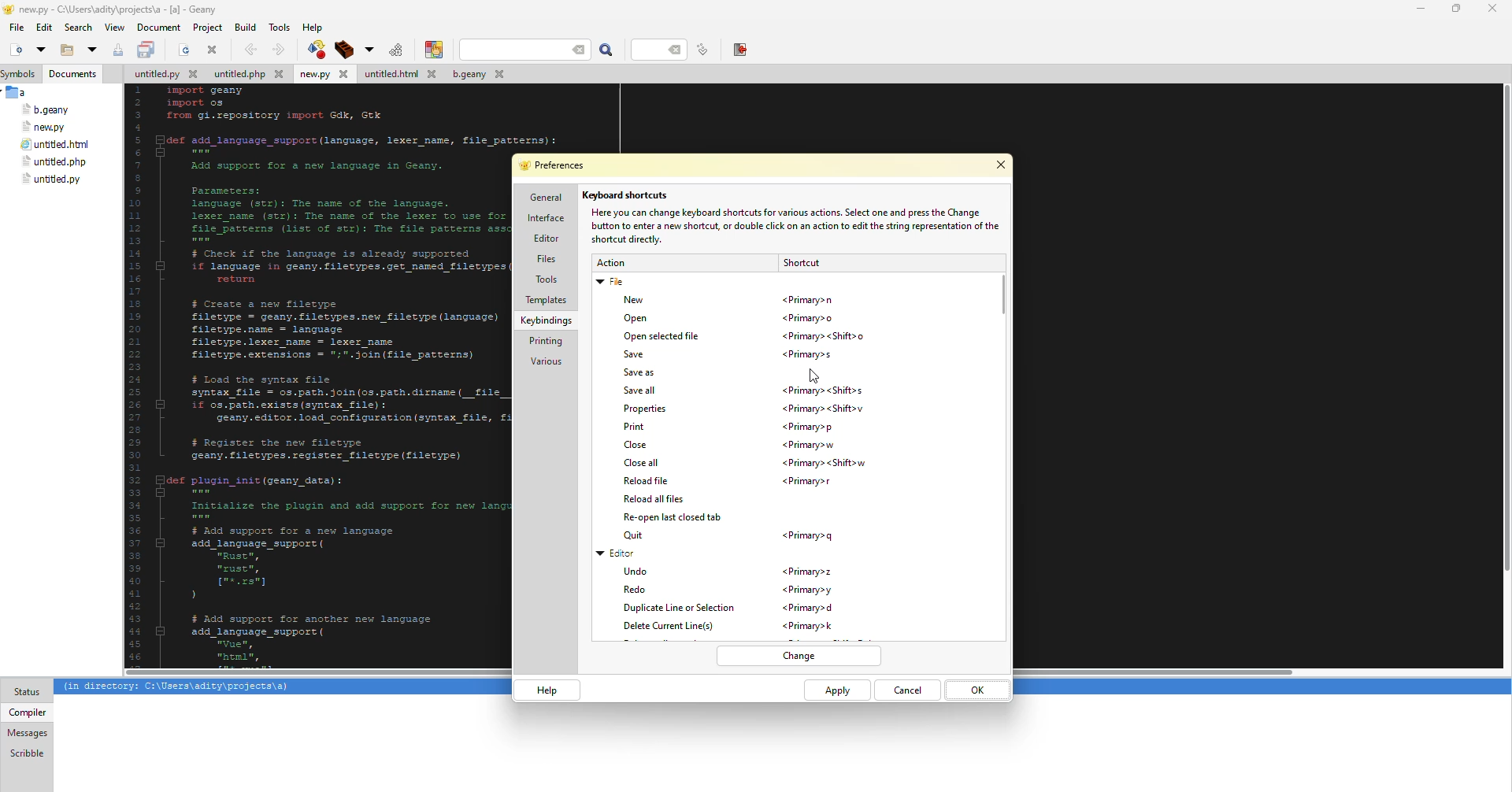  What do you see at coordinates (607, 50) in the screenshot?
I see `search` at bounding box center [607, 50].